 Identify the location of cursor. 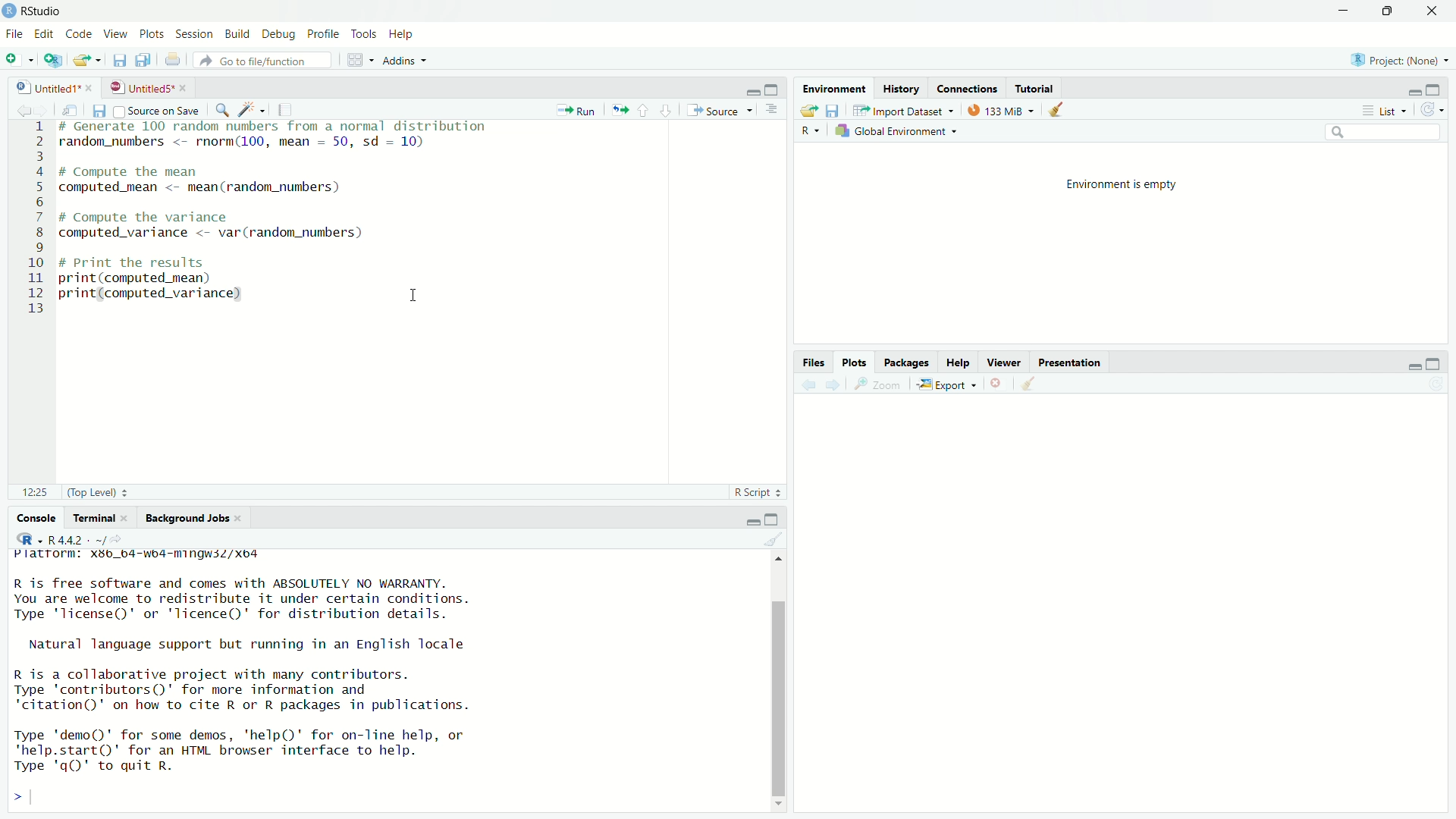
(417, 293).